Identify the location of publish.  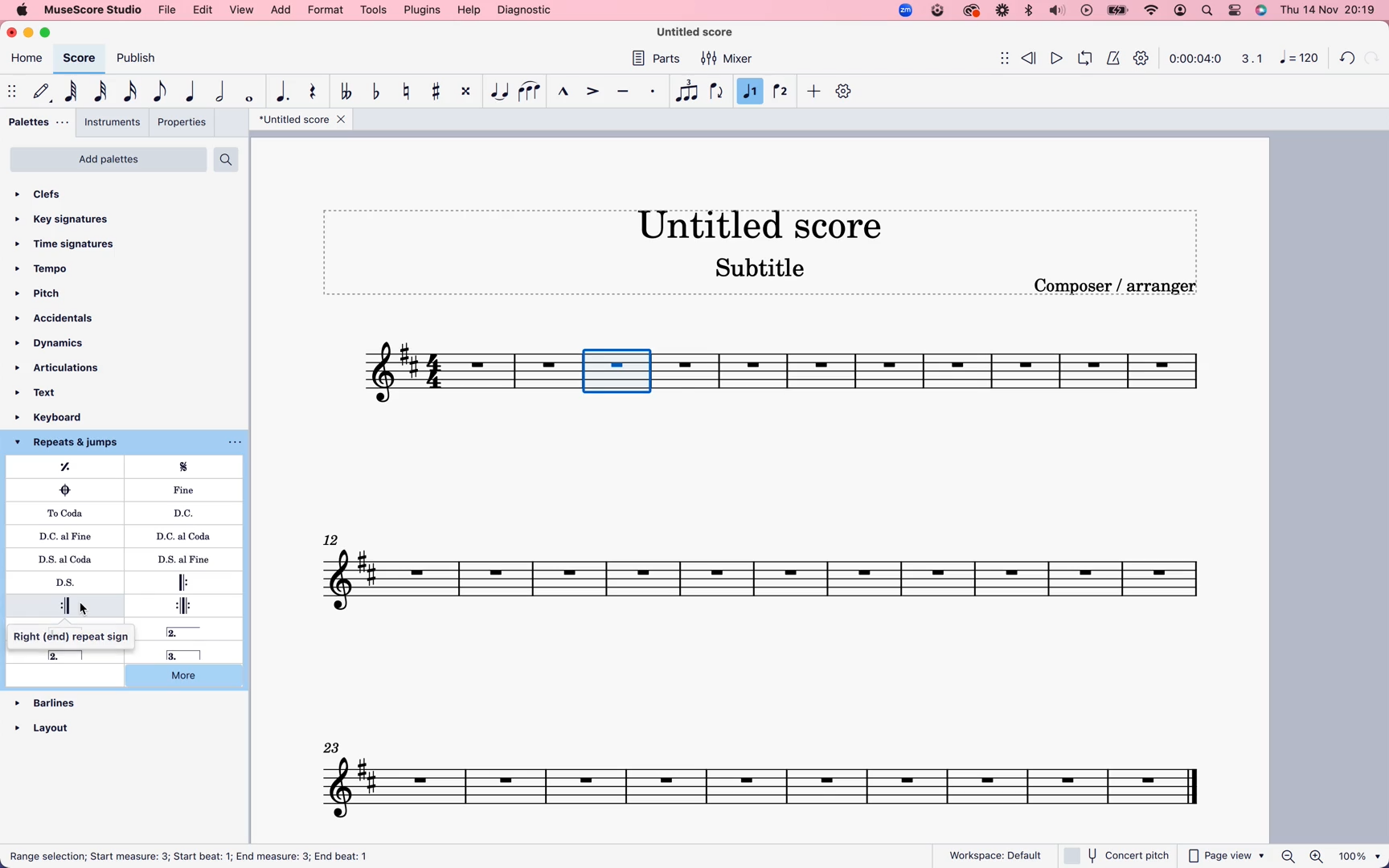
(141, 59).